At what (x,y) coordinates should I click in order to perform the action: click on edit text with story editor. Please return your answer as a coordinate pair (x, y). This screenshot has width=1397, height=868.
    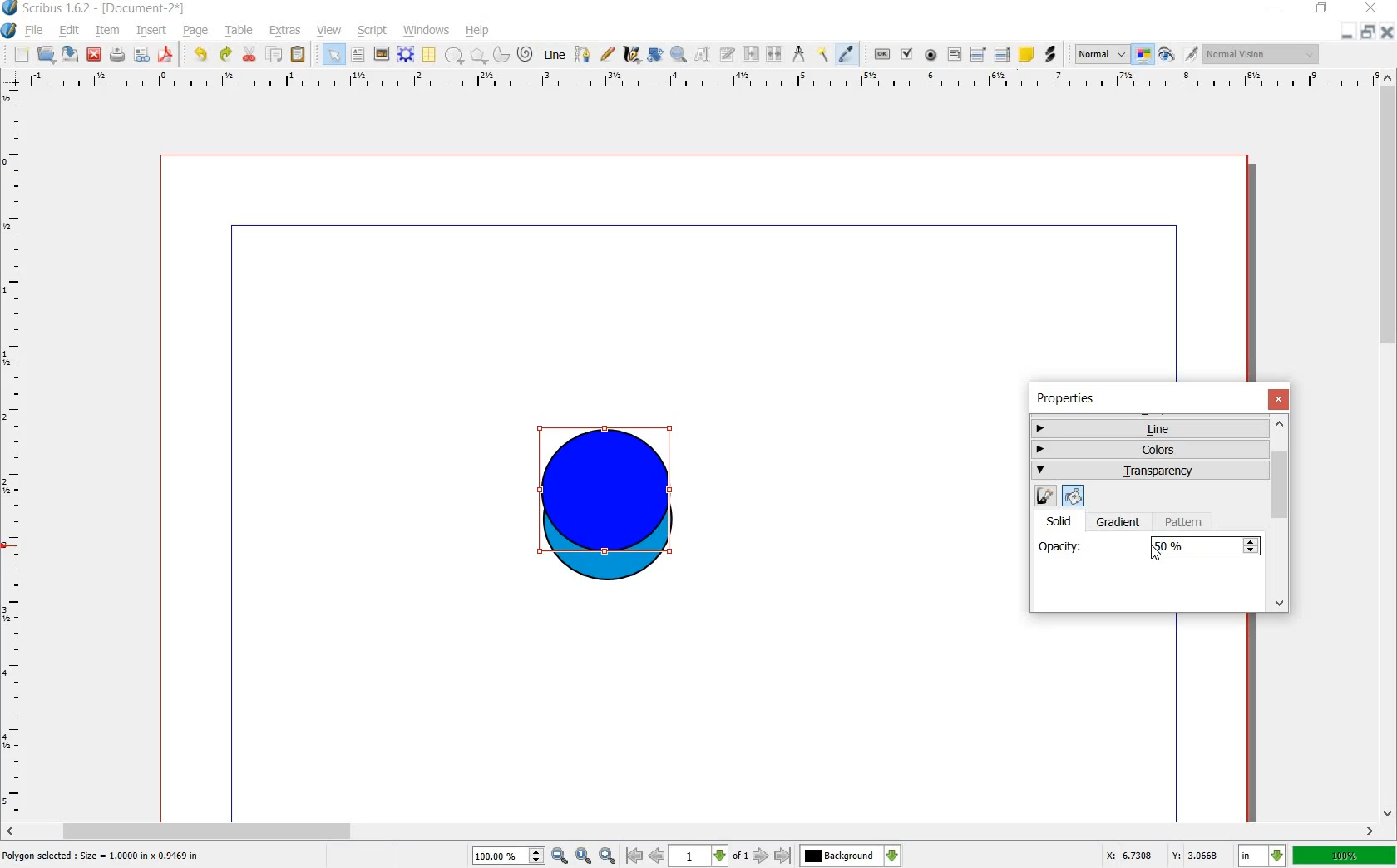
    Looking at the image, I should click on (728, 56).